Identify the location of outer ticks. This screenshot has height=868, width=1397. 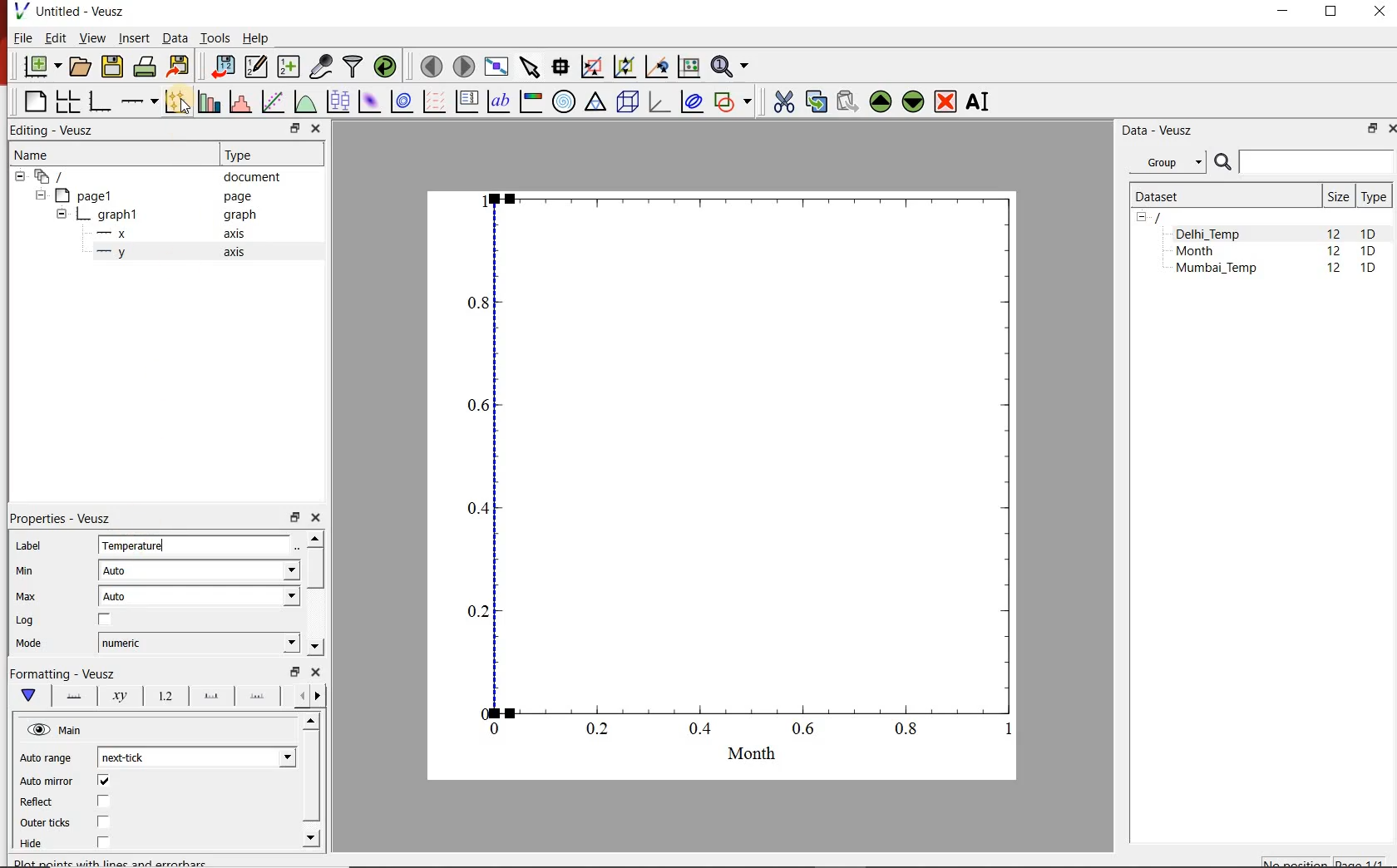
(46, 824).